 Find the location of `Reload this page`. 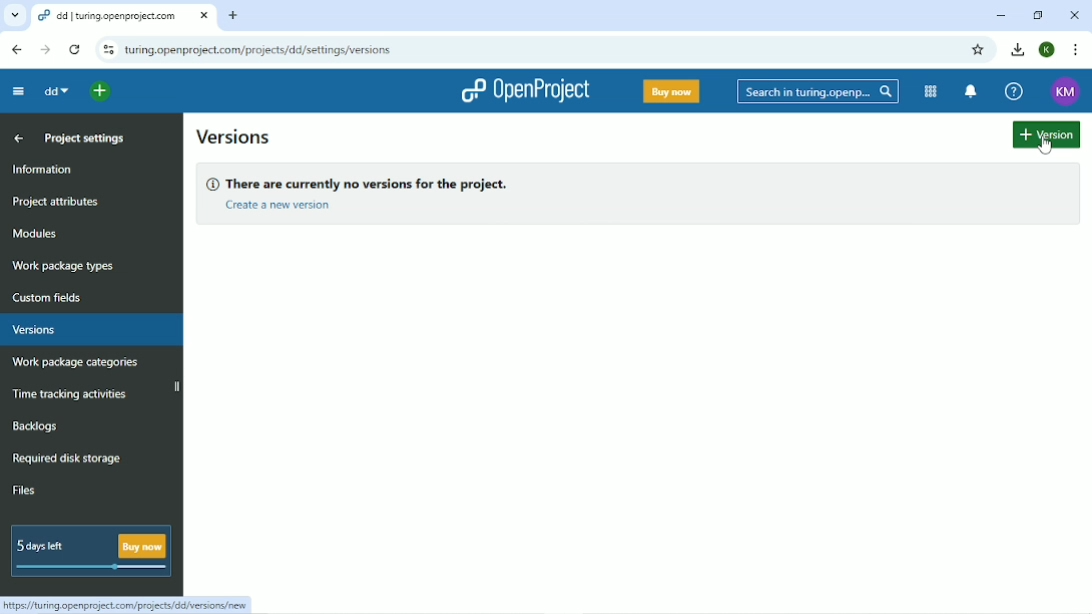

Reload this page is located at coordinates (74, 50).